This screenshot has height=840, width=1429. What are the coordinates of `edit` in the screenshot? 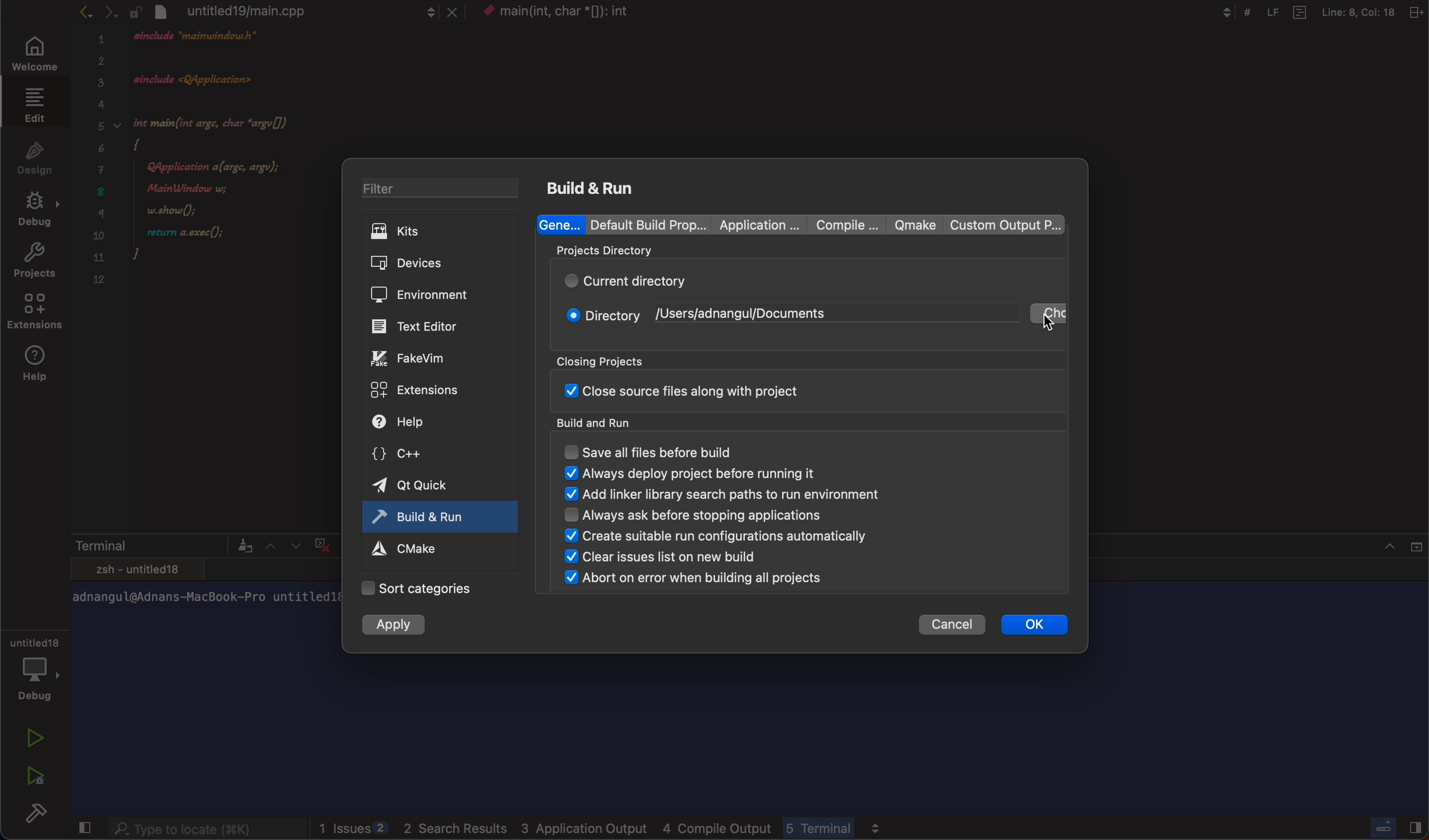 It's located at (35, 106).